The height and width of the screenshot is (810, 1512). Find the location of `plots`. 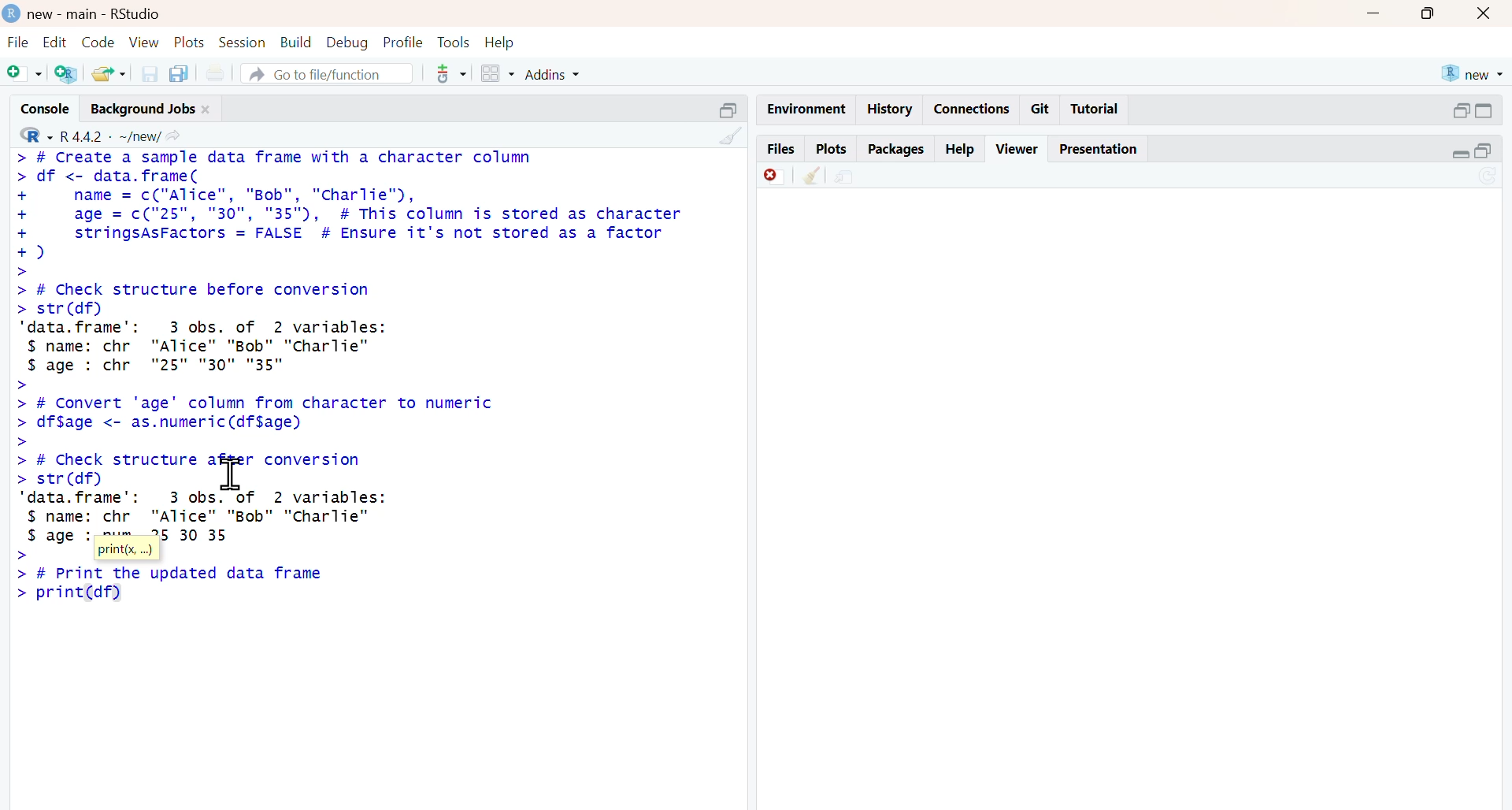

plots is located at coordinates (833, 150).